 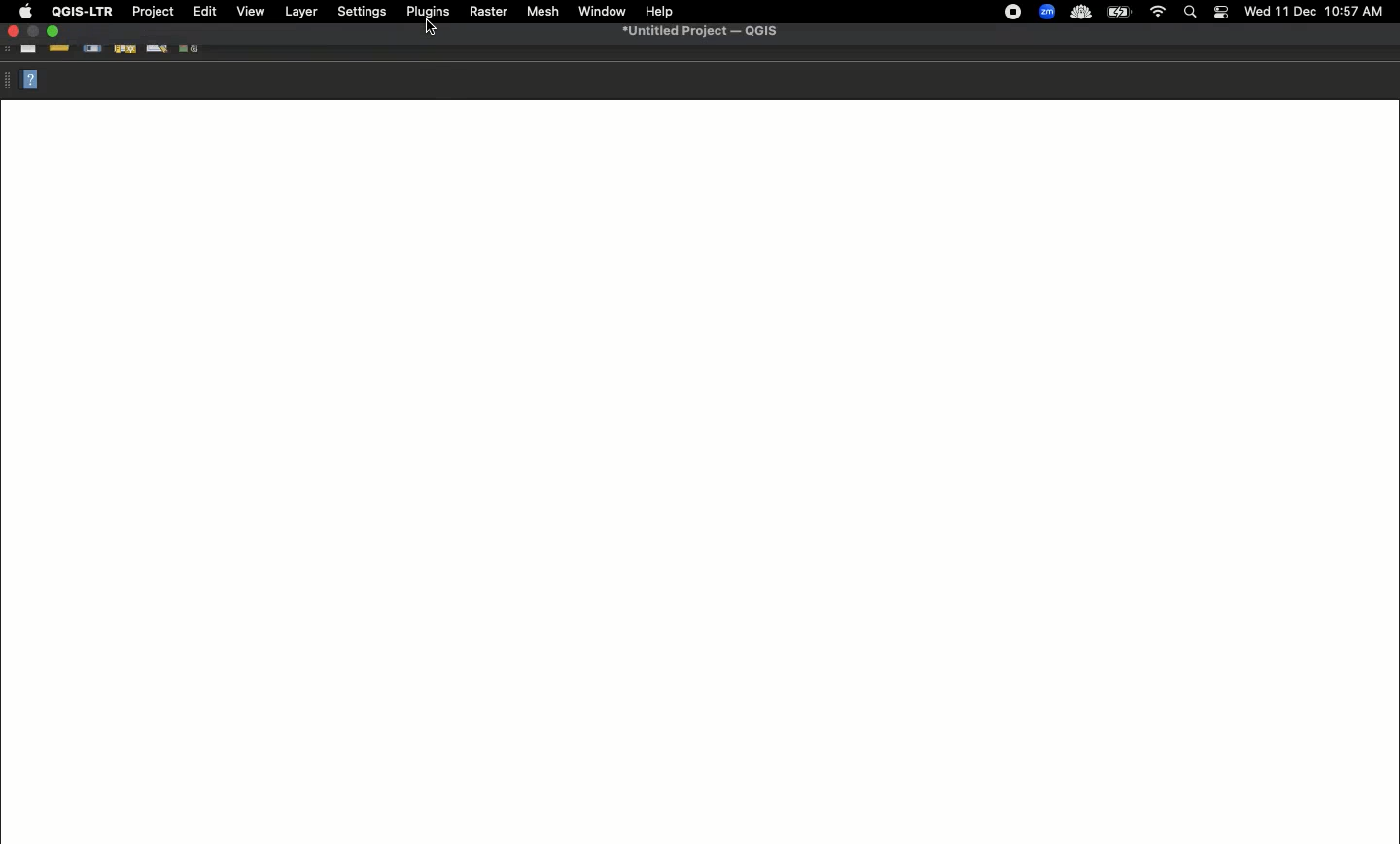 What do you see at coordinates (1049, 13) in the screenshot?
I see `Extension` at bounding box center [1049, 13].